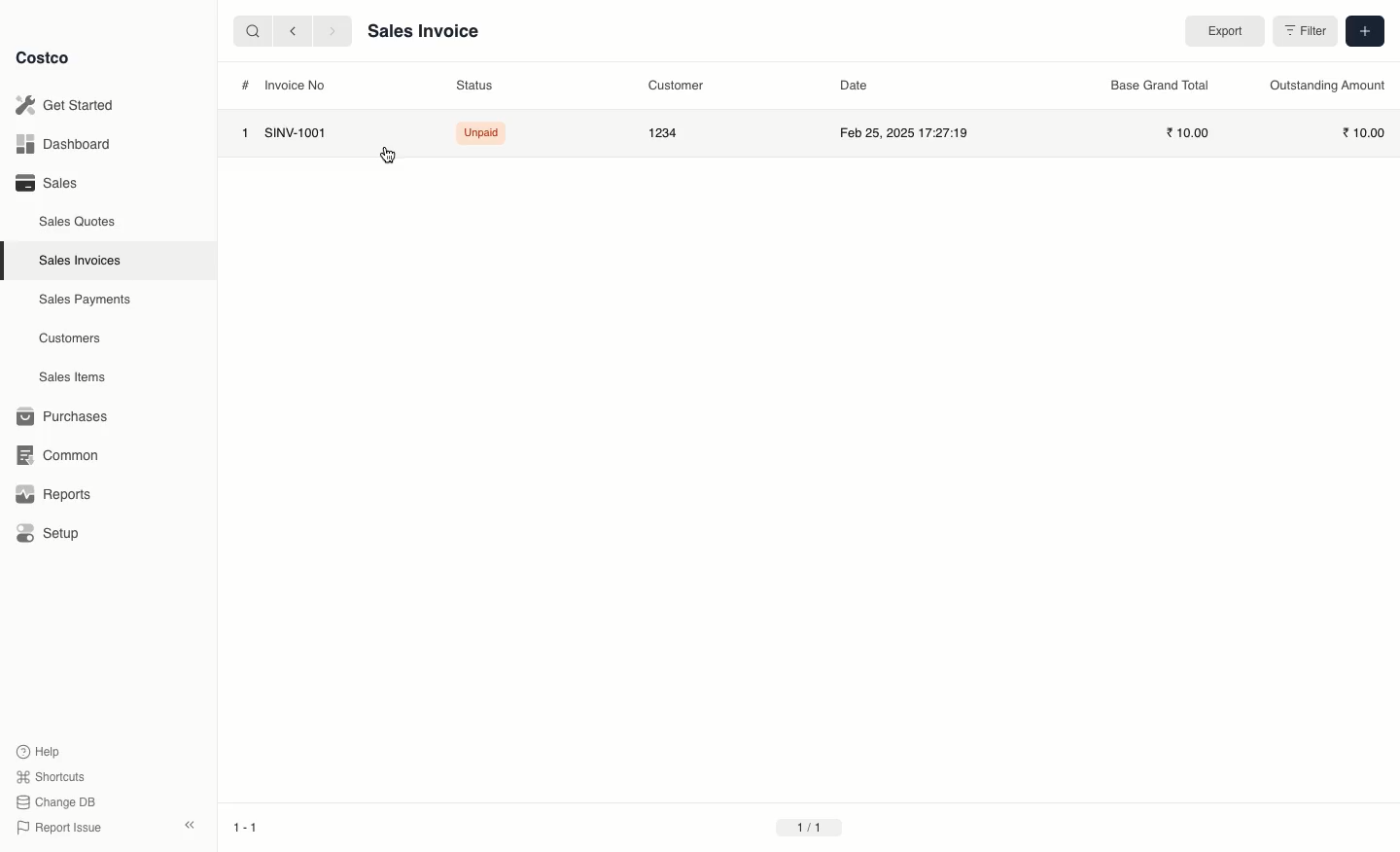 The height and width of the screenshot is (852, 1400). What do you see at coordinates (663, 133) in the screenshot?
I see `1234` at bounding box center [663, 133].